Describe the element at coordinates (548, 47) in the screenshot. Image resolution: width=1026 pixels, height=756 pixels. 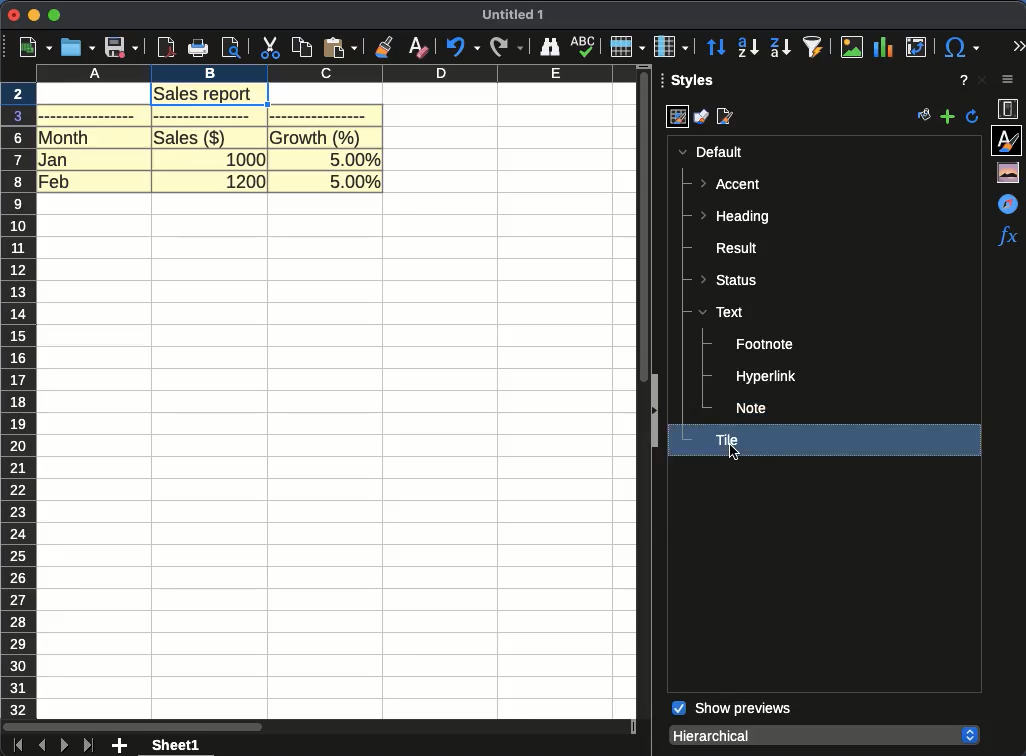
I see `finder` at that location.